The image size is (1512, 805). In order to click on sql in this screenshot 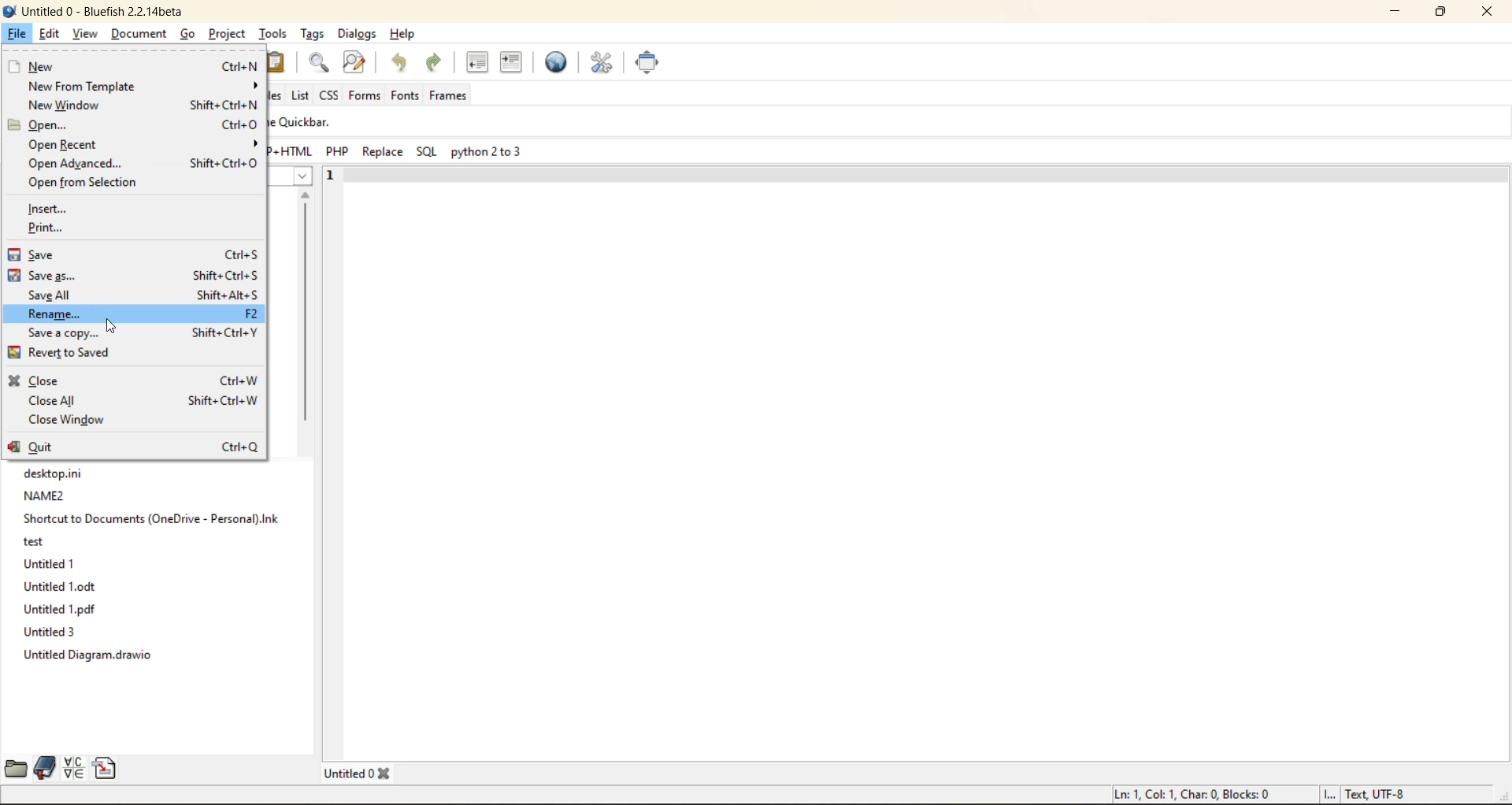, I will do `click(429, 152)`.